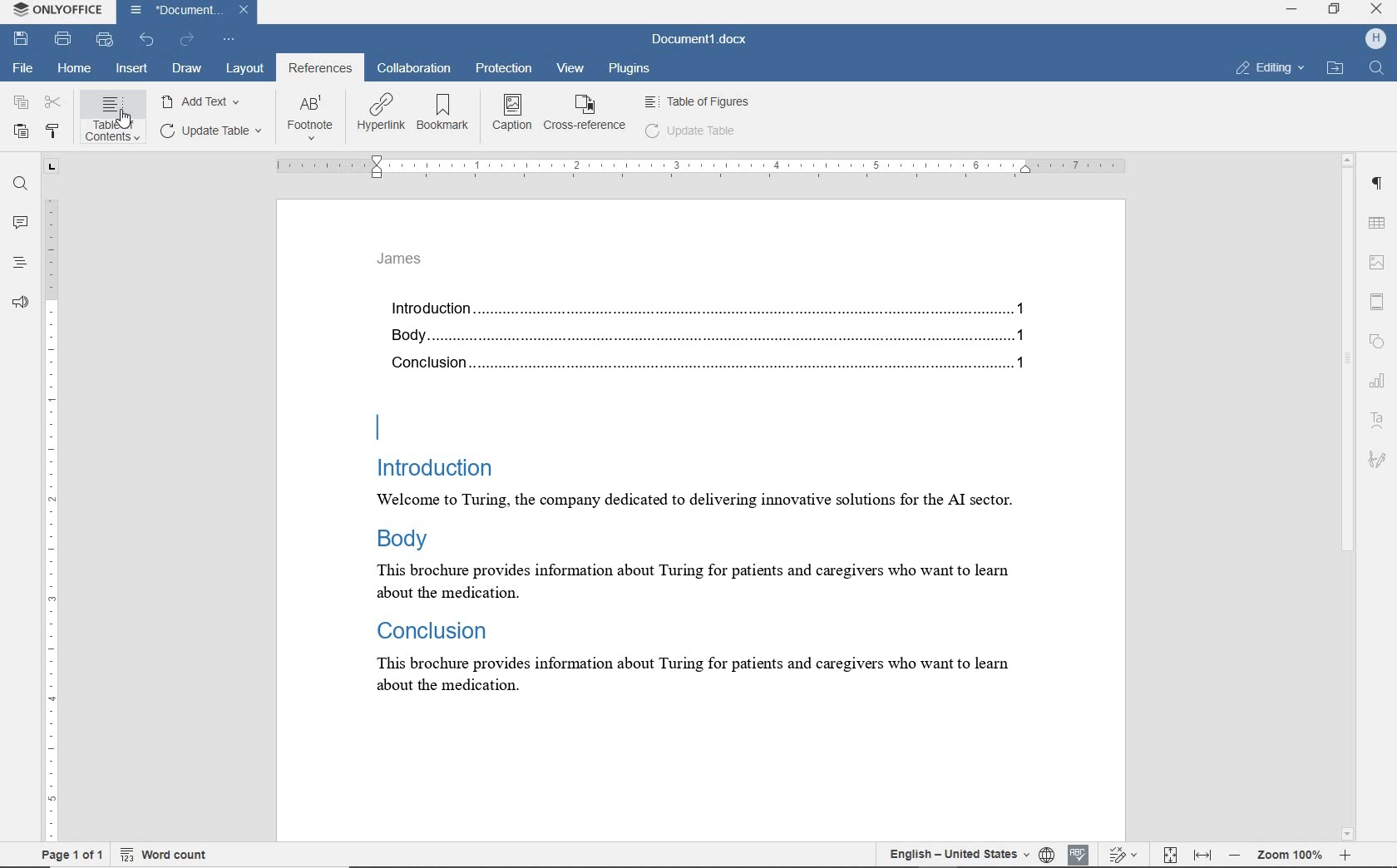  What do you see at coordinates (115, 121) in the screenshot?
I see `table of contents` at bounding box center [115, 121].